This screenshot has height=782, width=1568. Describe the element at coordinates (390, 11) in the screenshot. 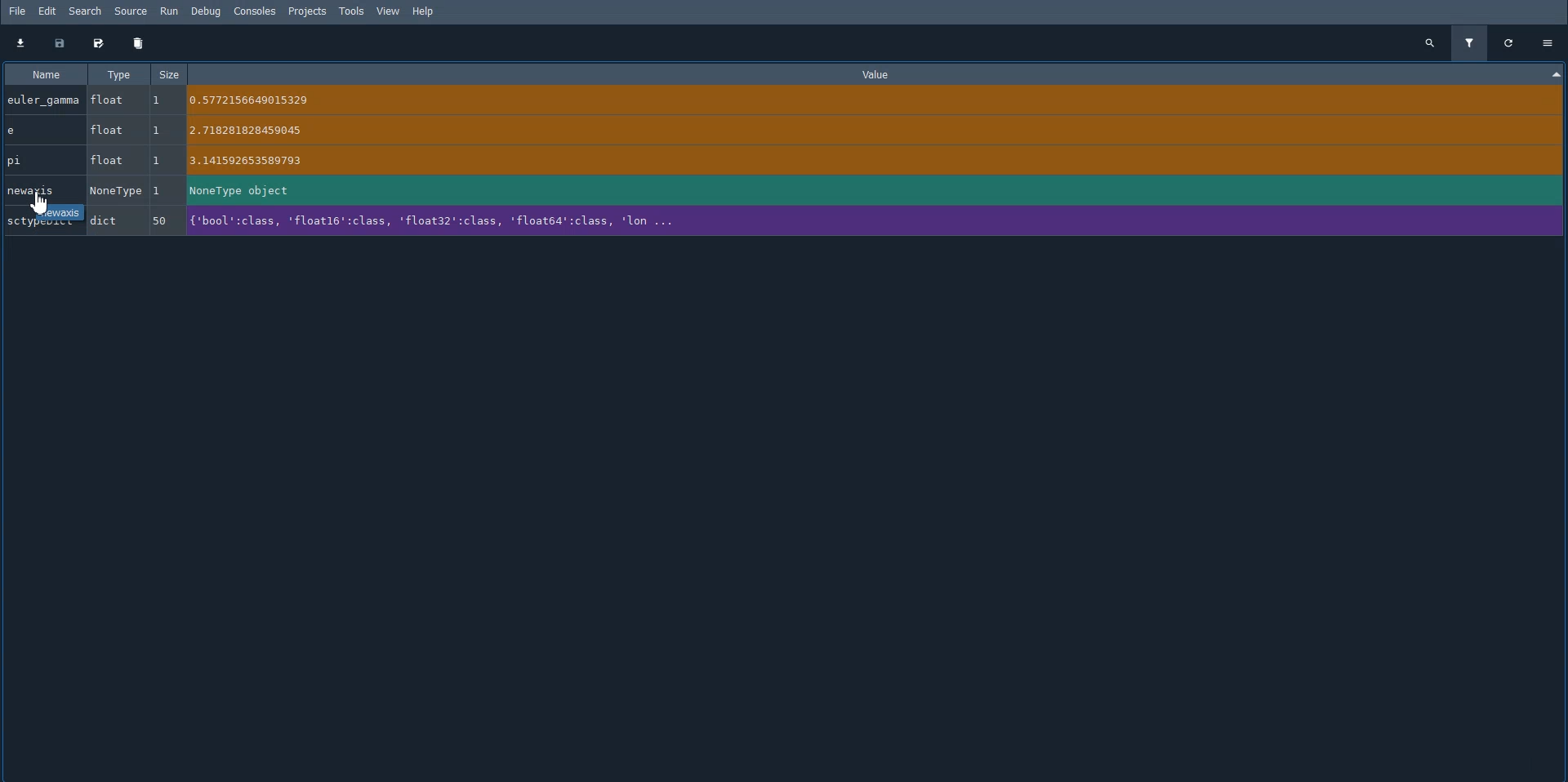

I see `View` at that location.